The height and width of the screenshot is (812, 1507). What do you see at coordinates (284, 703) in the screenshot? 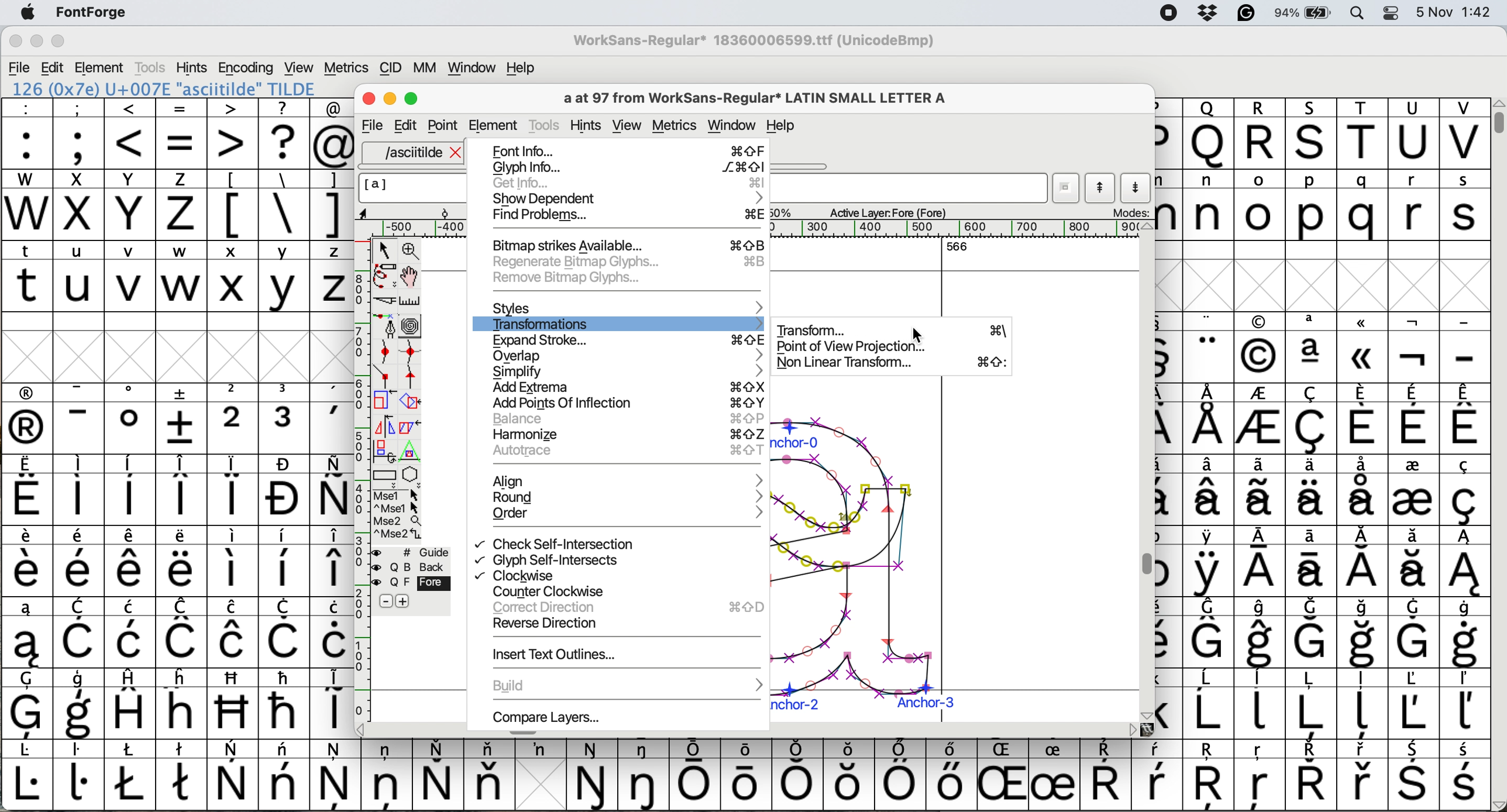
I see `symbol` at bounding box center [284, 703].